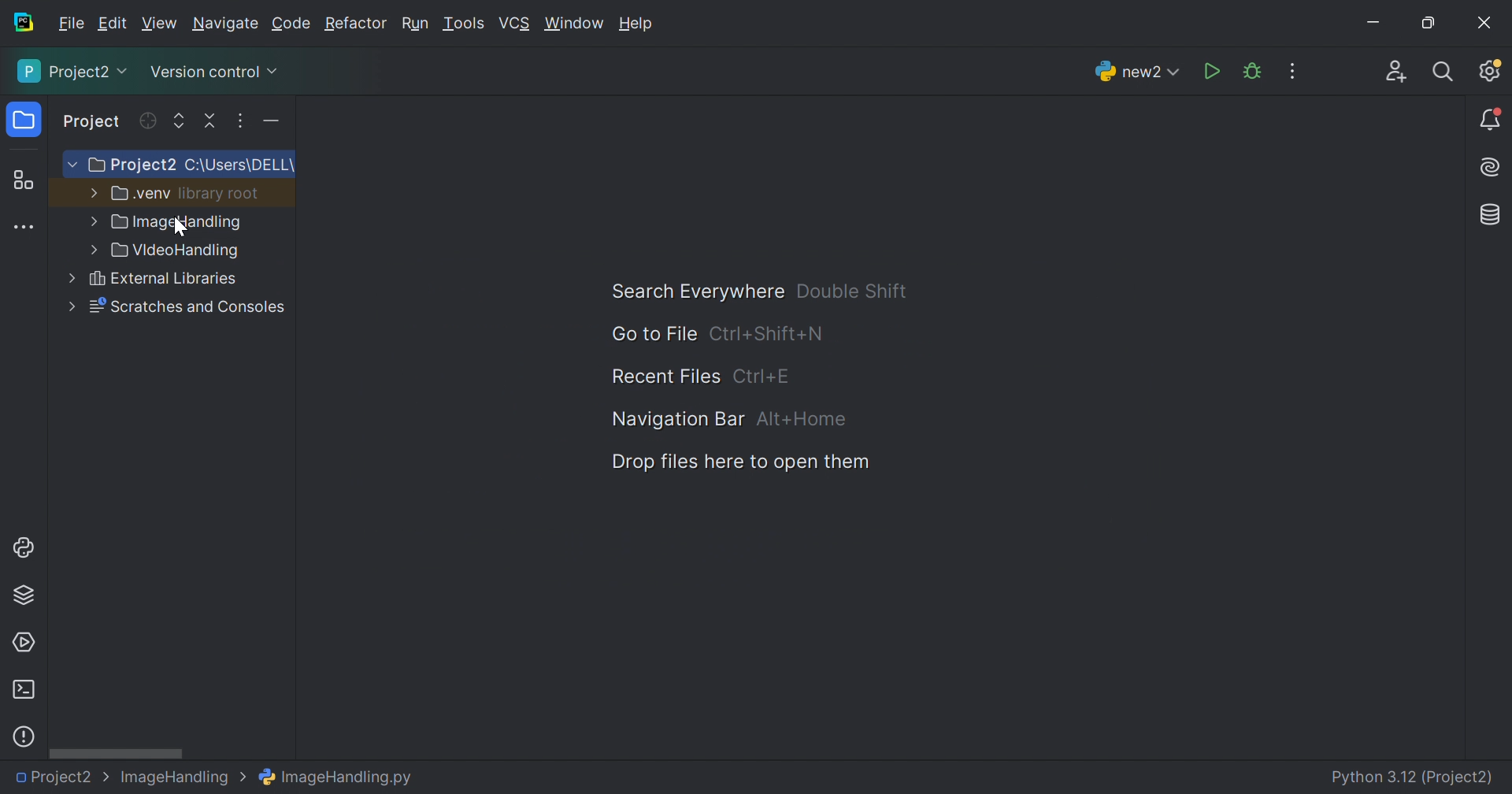  I want to click on more, so click(87, 250).